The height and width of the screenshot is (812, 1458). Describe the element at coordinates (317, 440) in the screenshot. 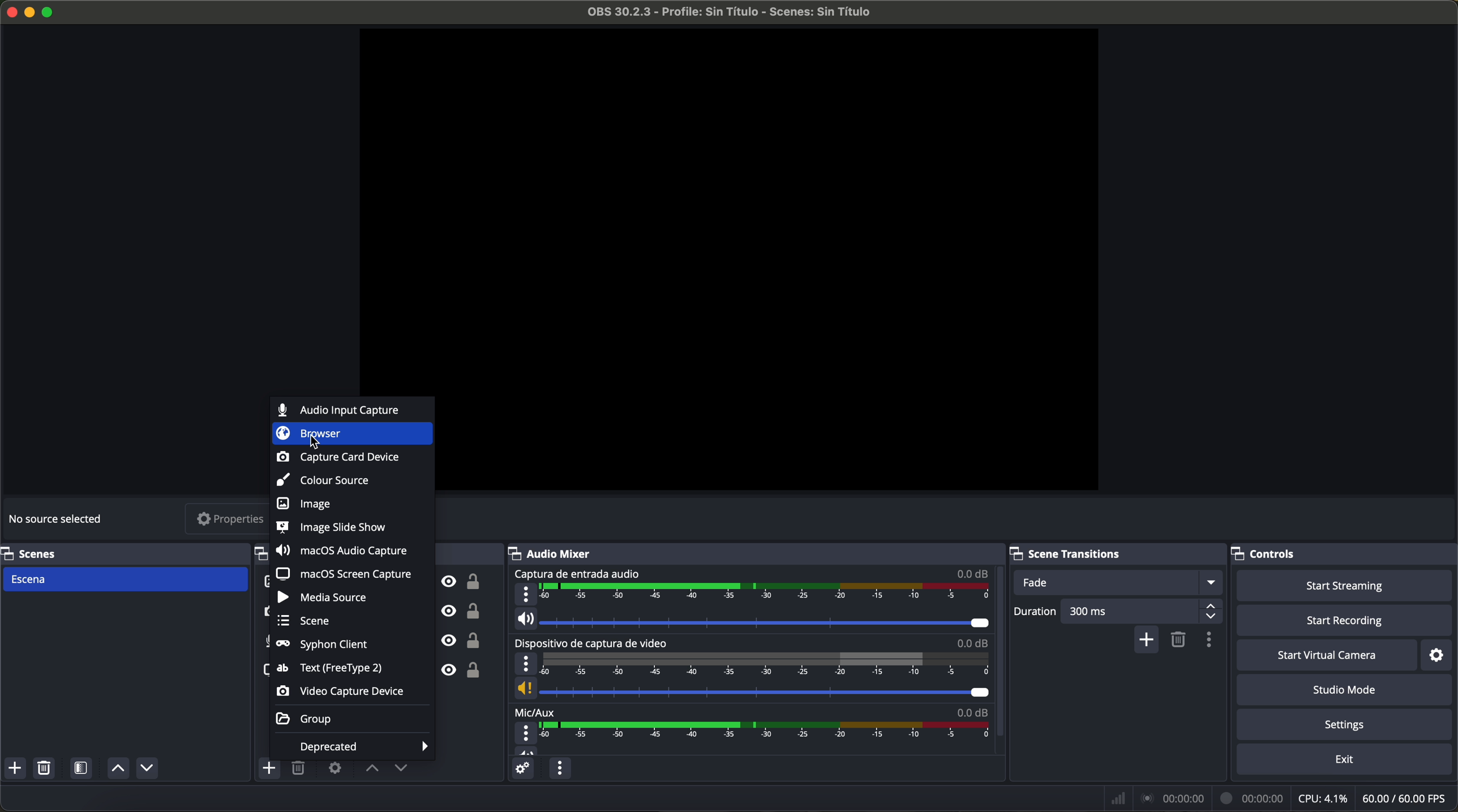

I see `cursor` at that location.